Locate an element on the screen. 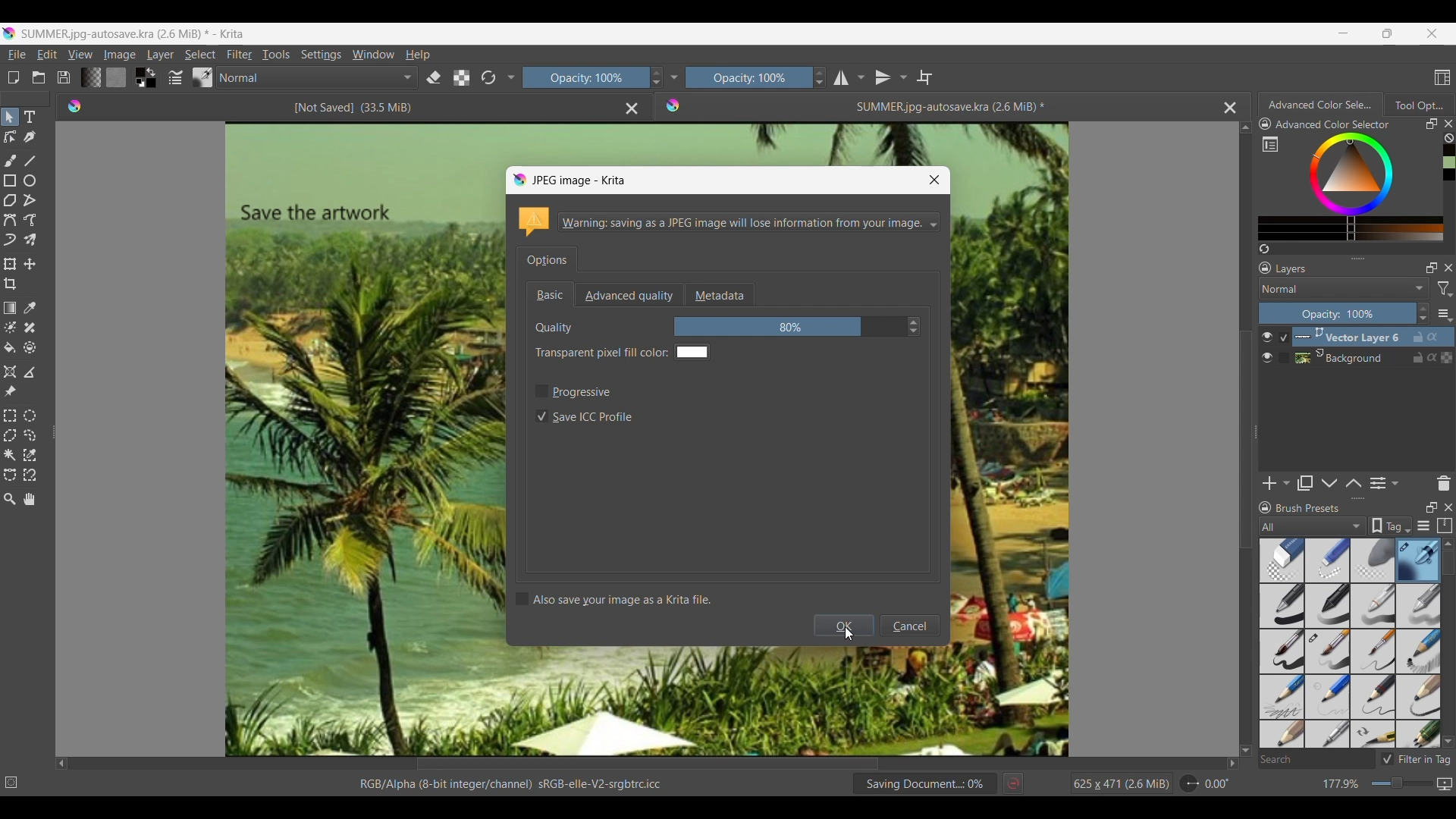 The image size is (1456, 819). Fill patterns is located at coordinates (116, 77).